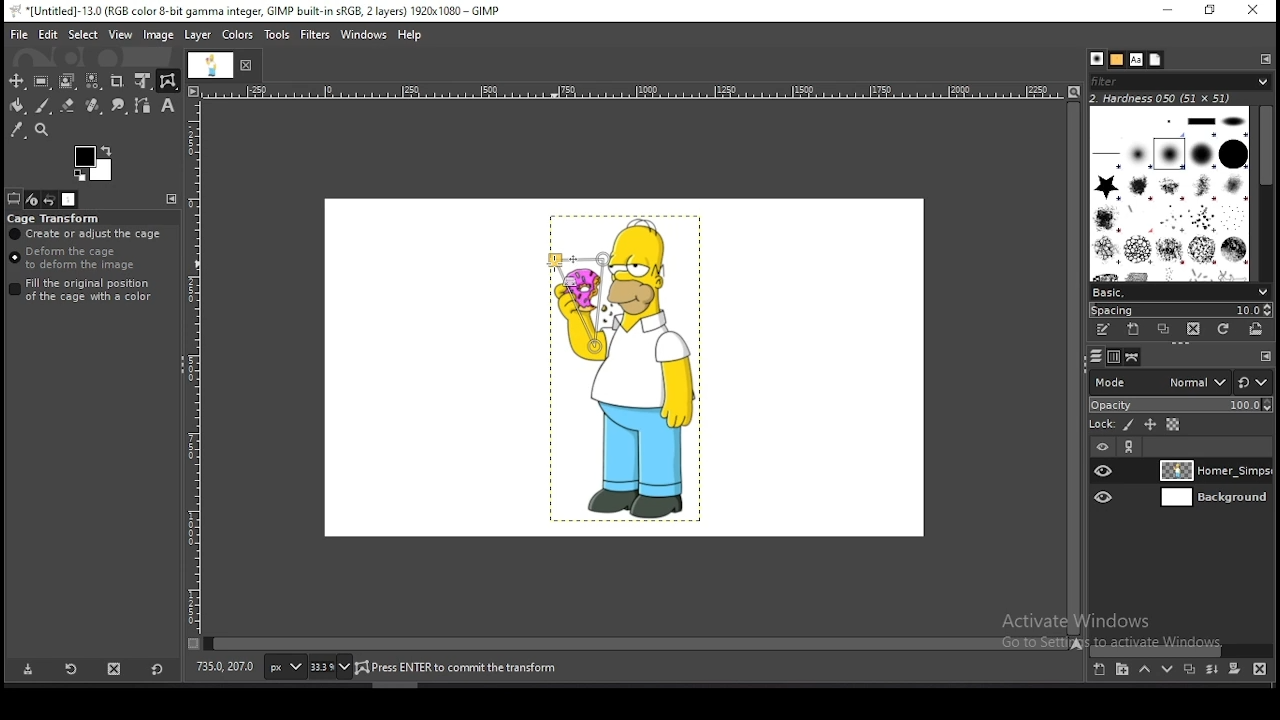  What do you see at coordinates (1093, 356) in the screenshot?
I see `layers` at bounding box center [1093, 356].